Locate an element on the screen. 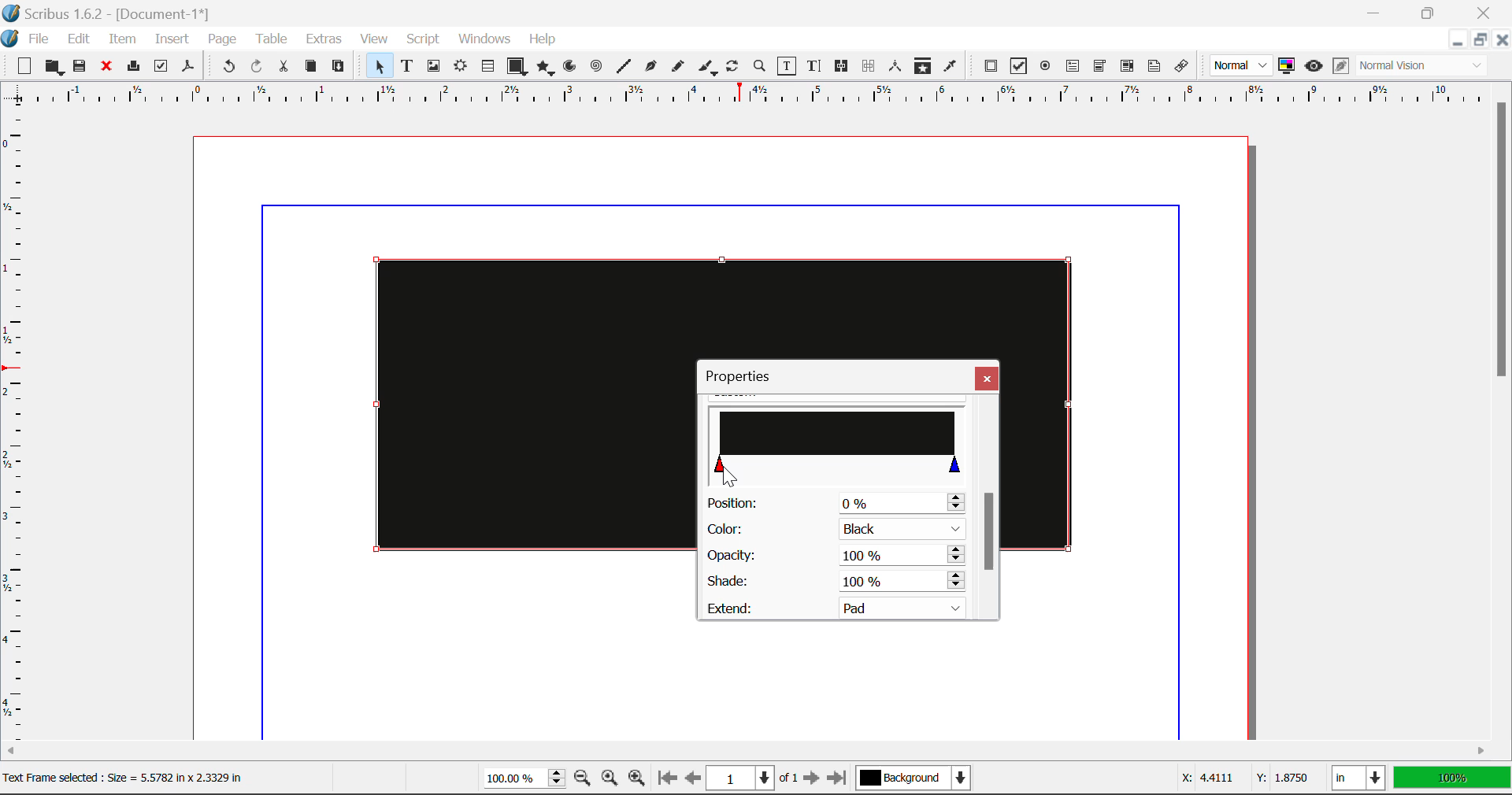  Text Annotation is located at coordinates (1157, 67).